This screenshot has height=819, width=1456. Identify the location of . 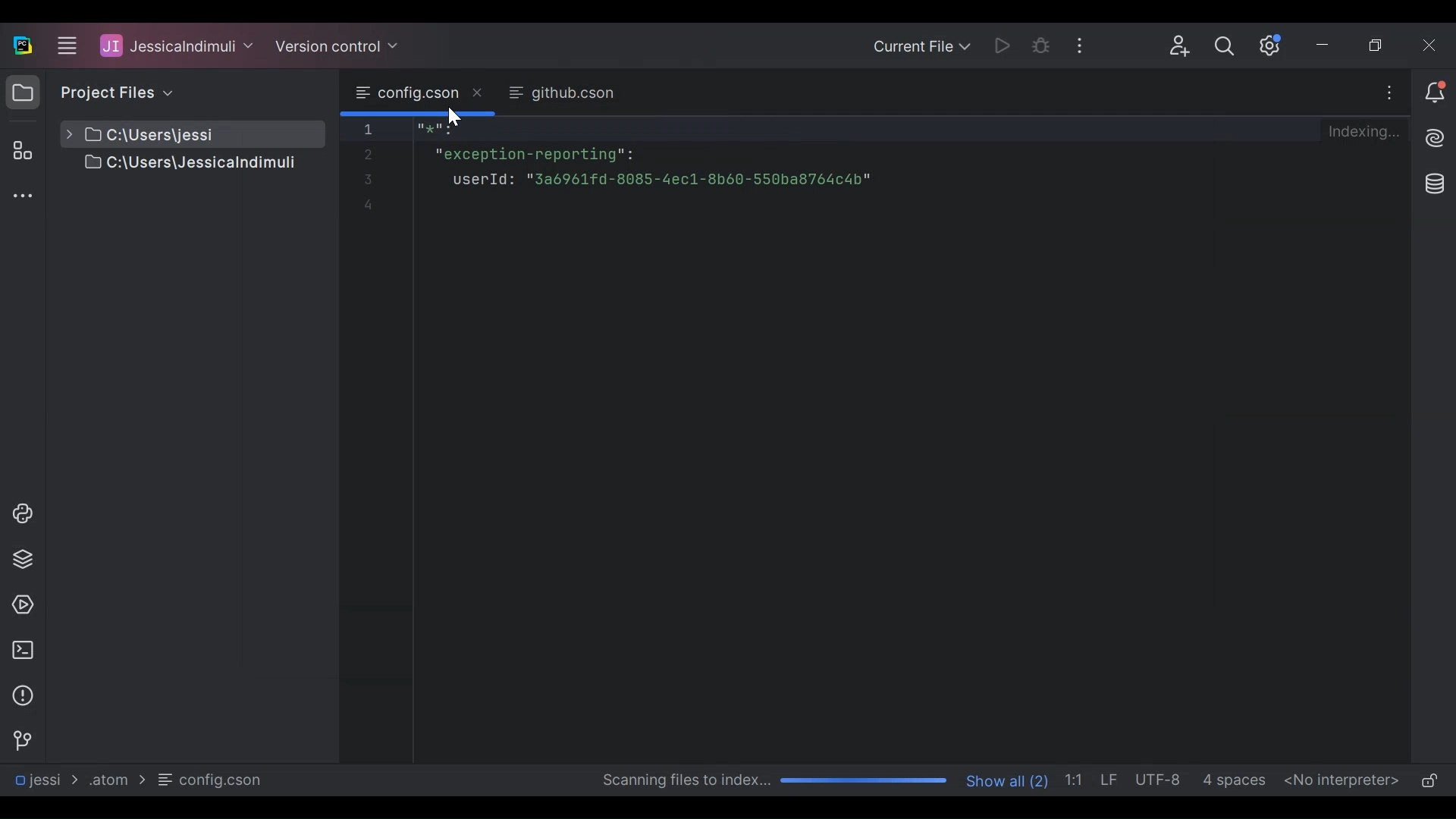
(21, 198).